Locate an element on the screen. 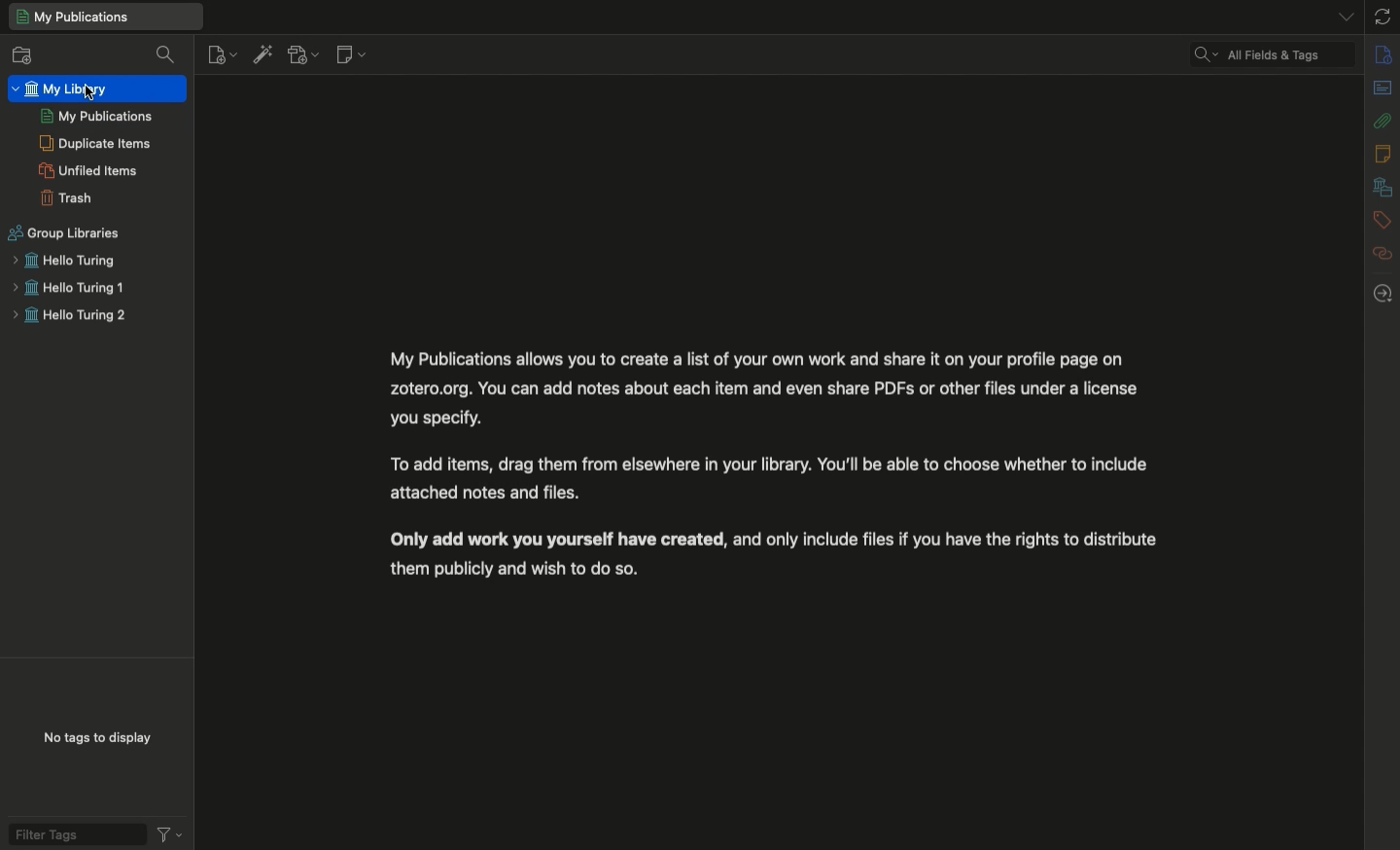  Hello turing 1 is located at coordinates (68, 292).